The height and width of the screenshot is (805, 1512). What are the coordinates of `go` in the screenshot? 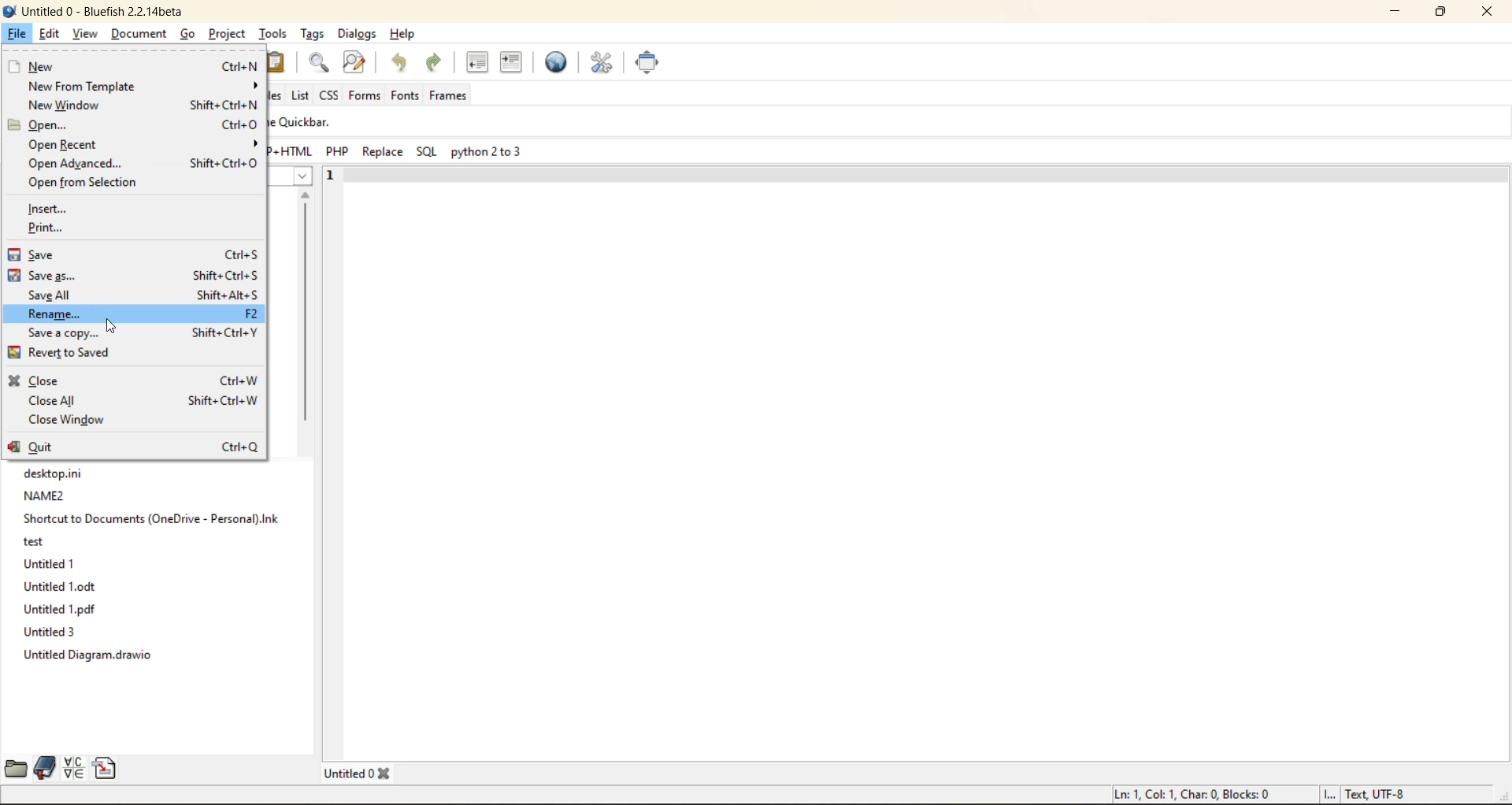 It's located at (188, 34).